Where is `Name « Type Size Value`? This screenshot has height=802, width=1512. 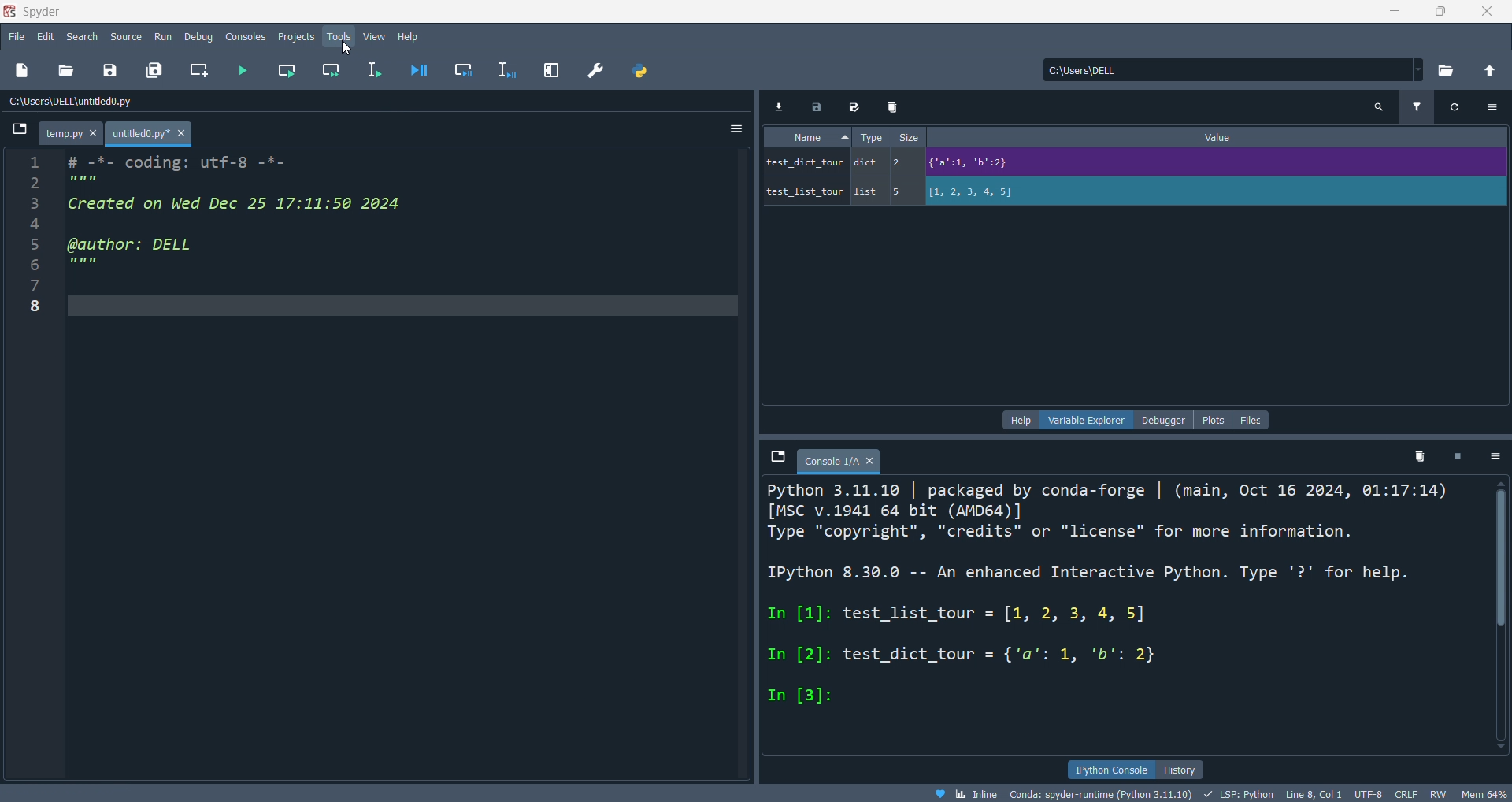 Name « Type Size Value is located at coordinates (1026, 139).